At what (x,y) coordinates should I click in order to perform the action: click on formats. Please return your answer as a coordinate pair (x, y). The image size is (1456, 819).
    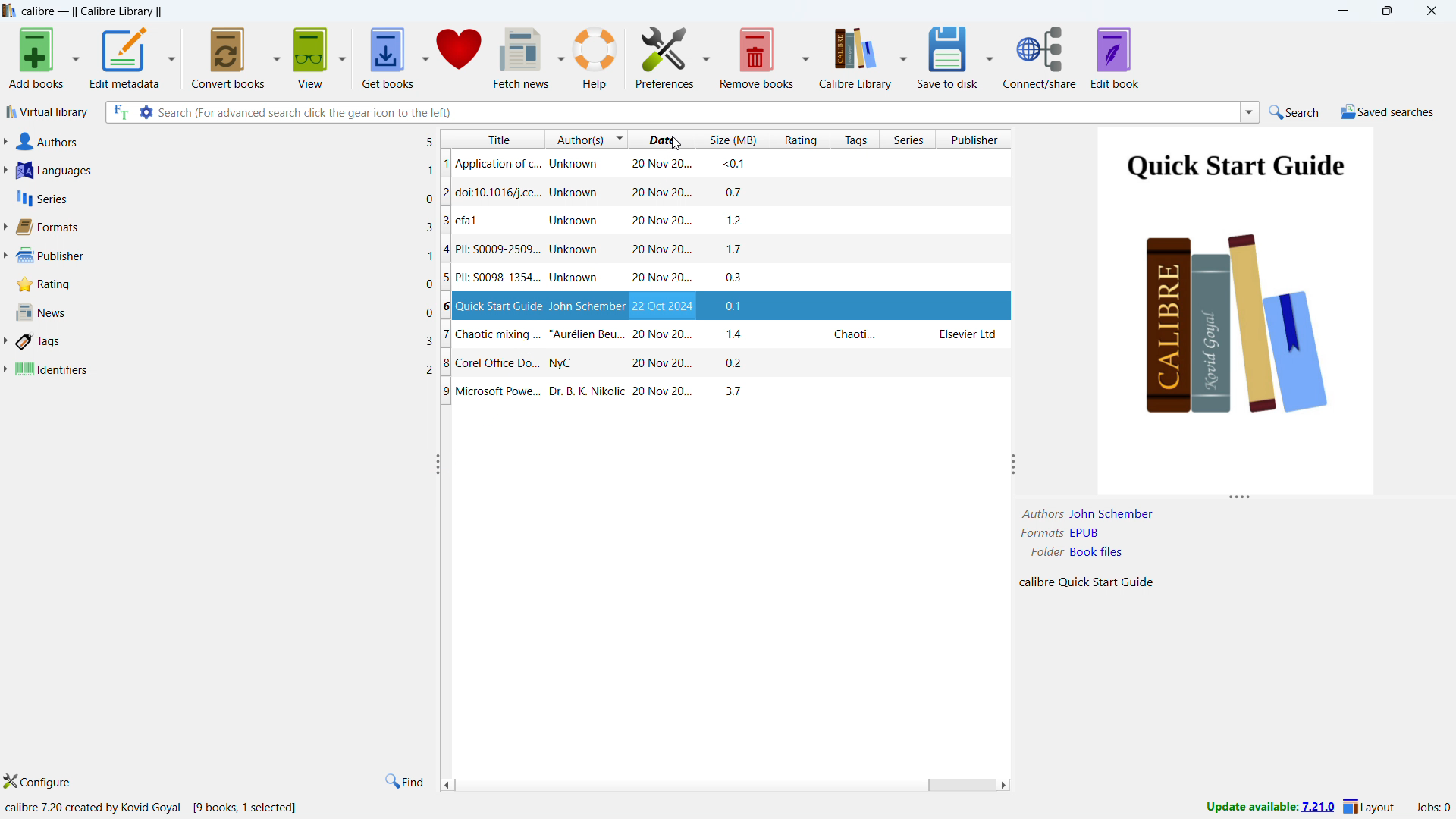
    Looking at the image, I should click on (223, 227).